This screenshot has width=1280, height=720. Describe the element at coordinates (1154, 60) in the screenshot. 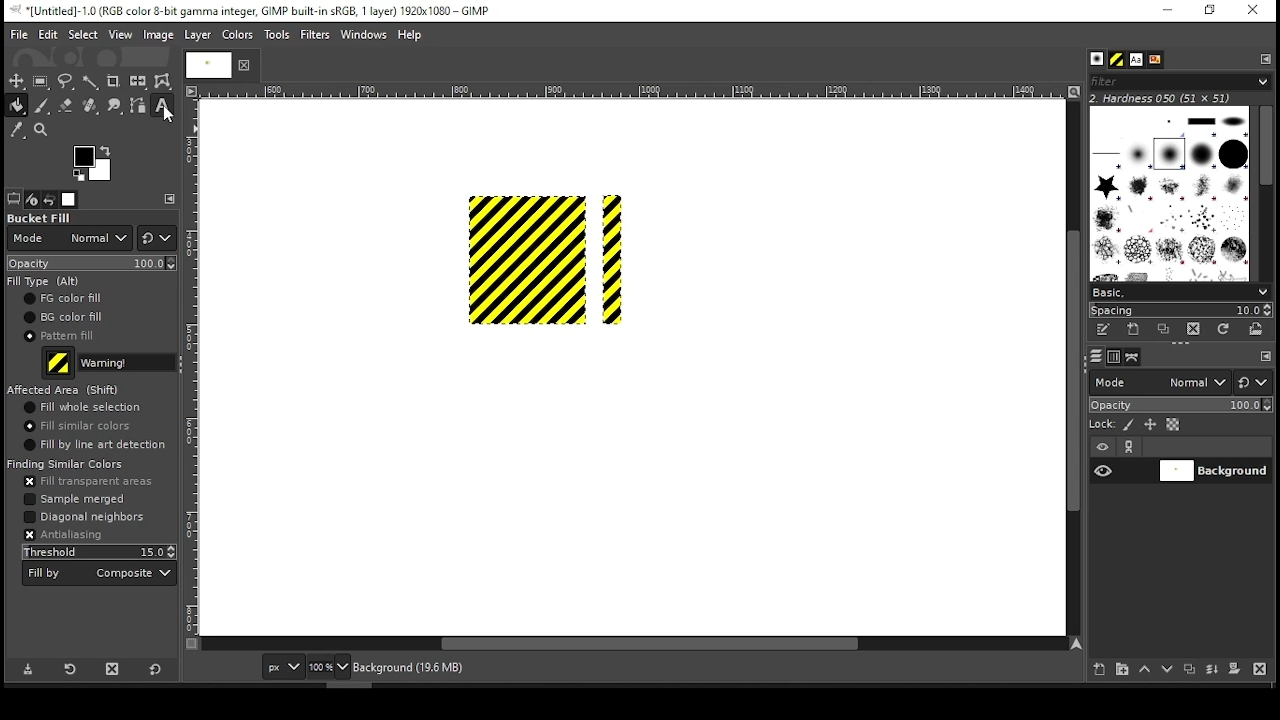

I see `document history` at that location.